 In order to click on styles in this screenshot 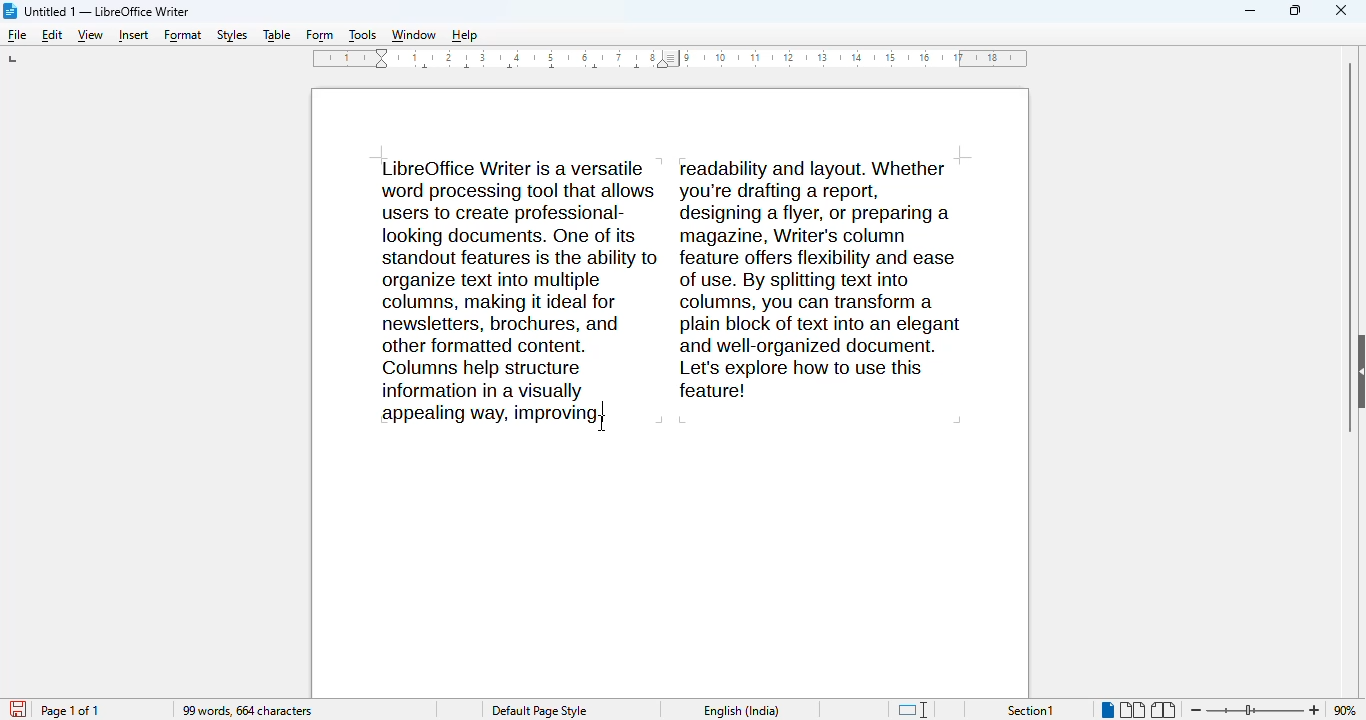, I will do `click(233, 36)`.